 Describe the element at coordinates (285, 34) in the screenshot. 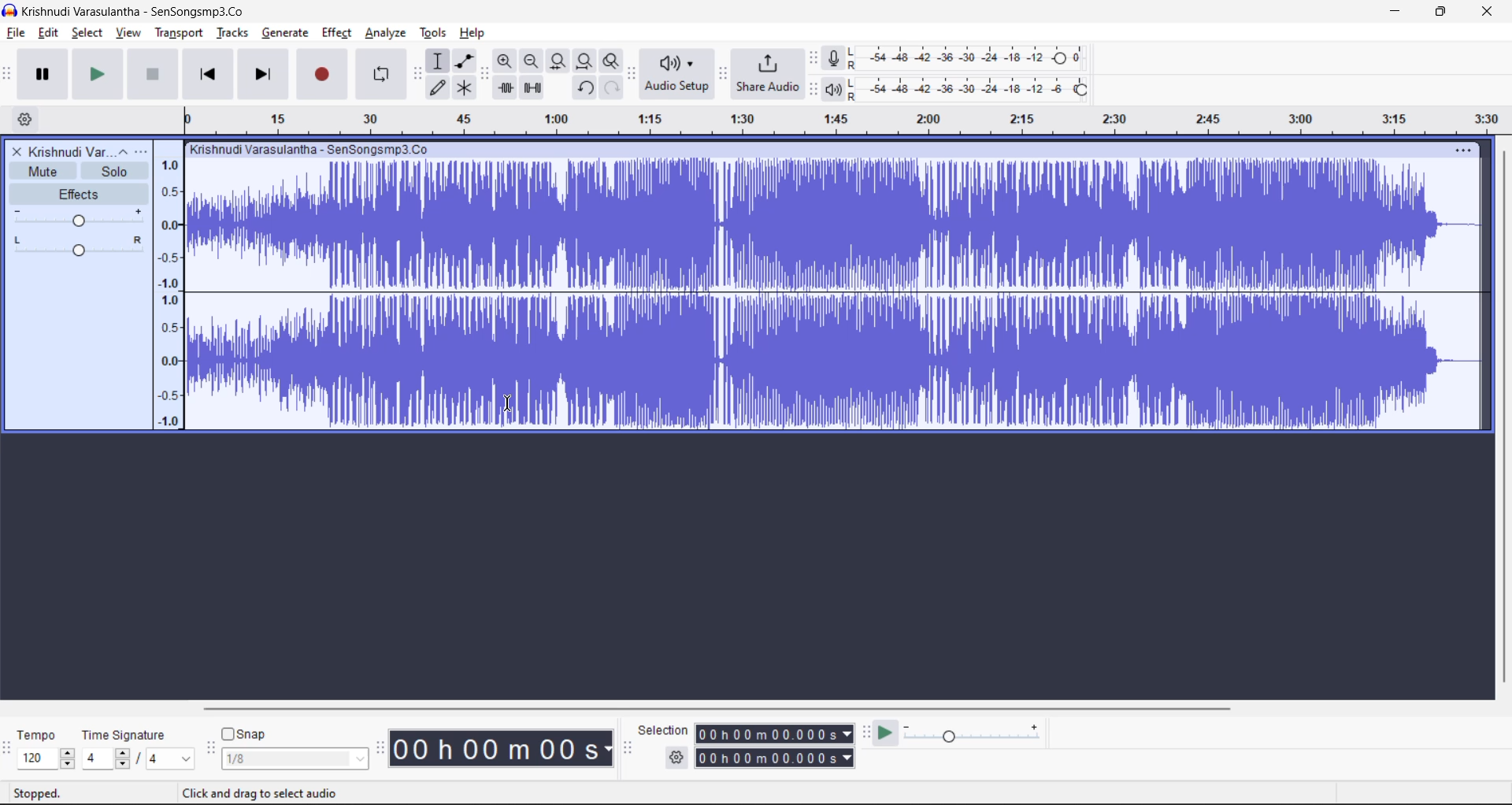

I see `generate` at that location.